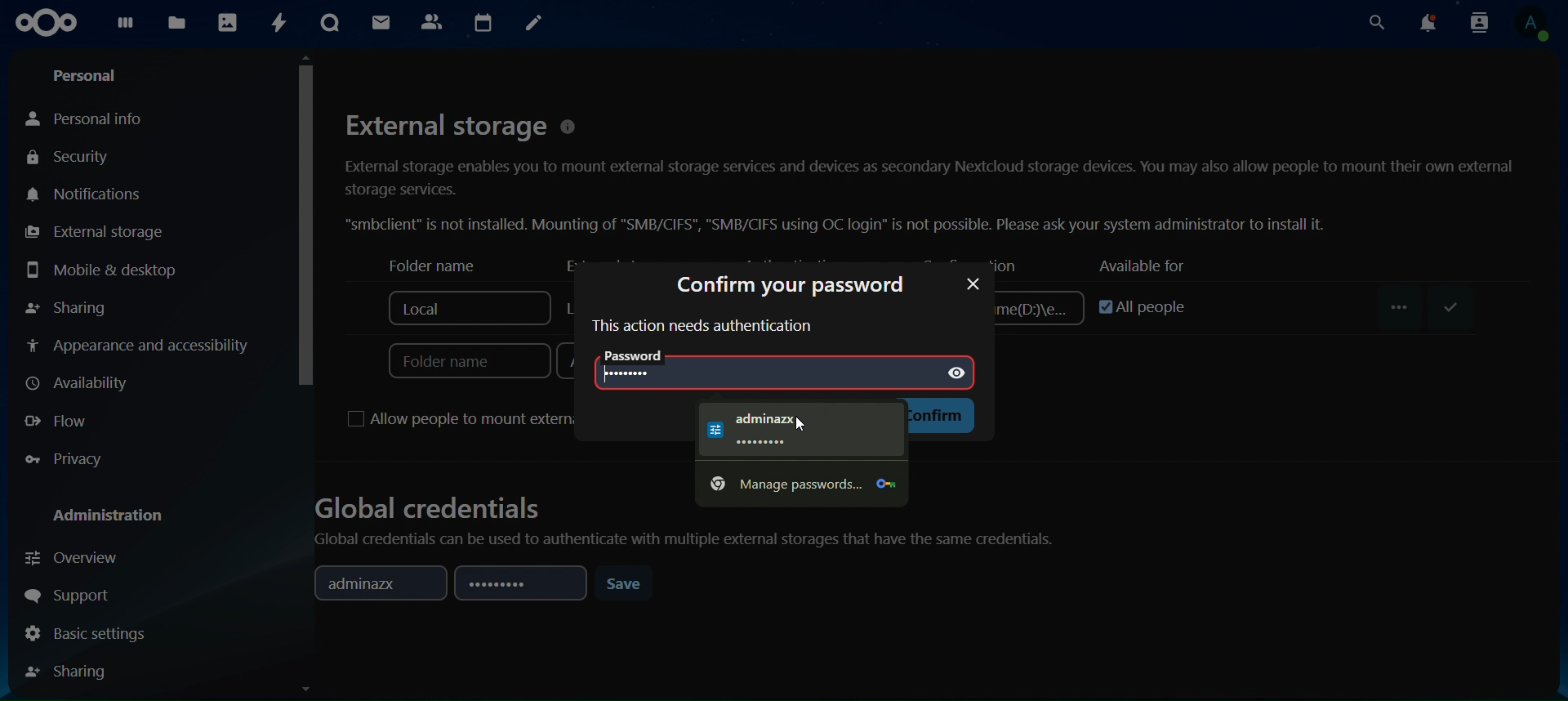 The image size is (1568, 701). I want to click on text, so click(791, 431).